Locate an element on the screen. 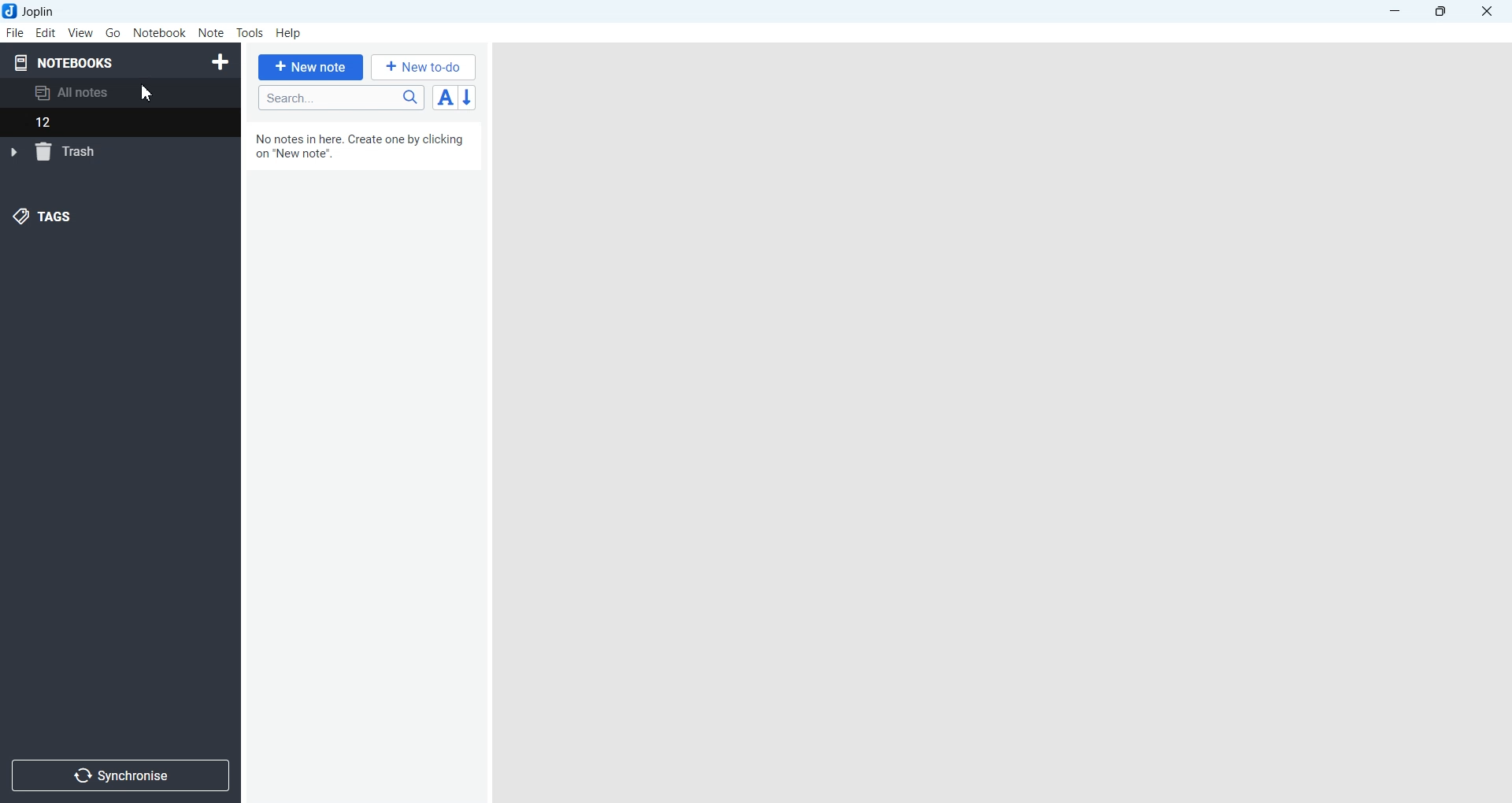 The width and height of the screenshot is (1512, 803). Synchronize is located at coordinates (120, 774).